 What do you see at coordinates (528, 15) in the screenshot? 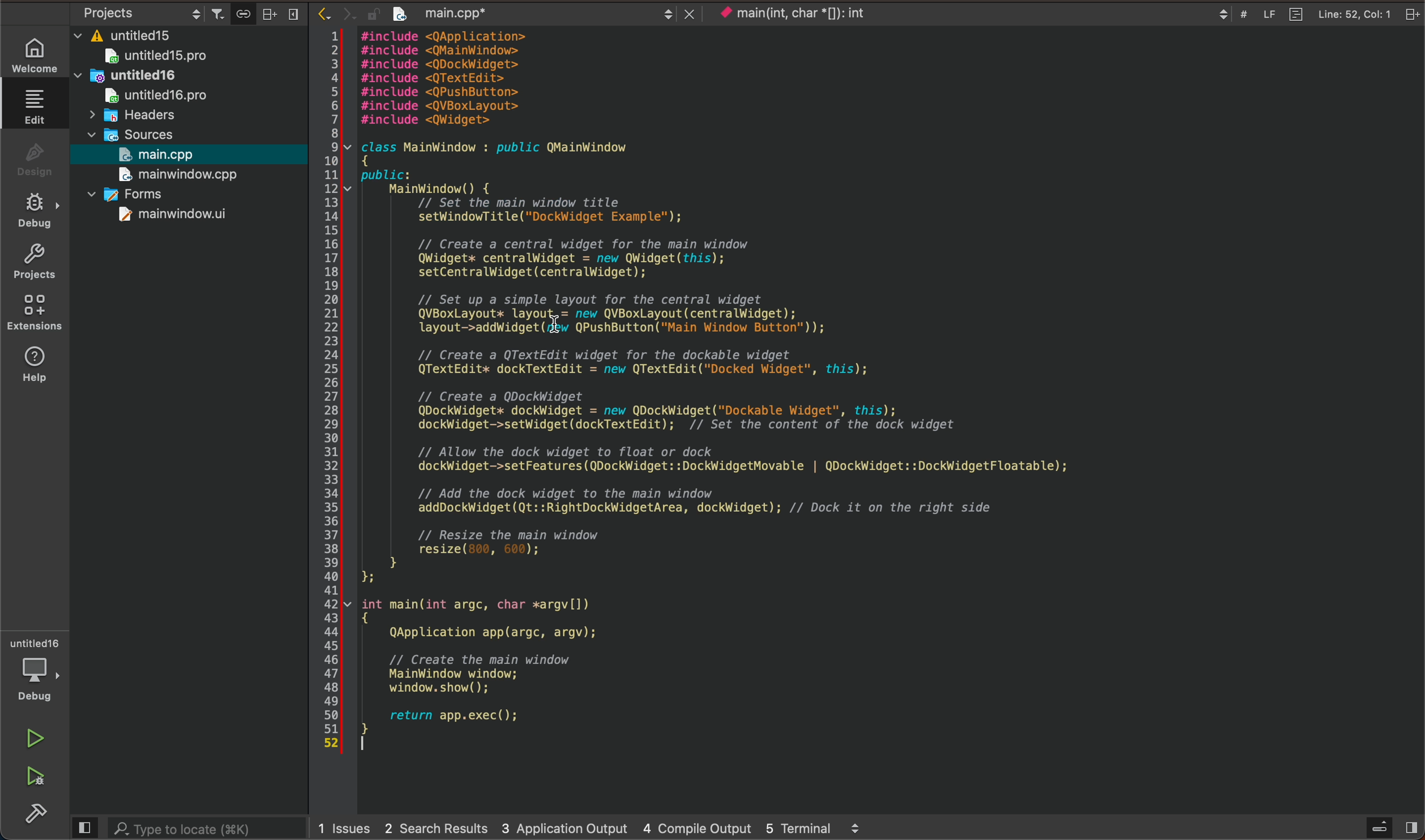
I see `file tab` at bounding box center [528, 15].